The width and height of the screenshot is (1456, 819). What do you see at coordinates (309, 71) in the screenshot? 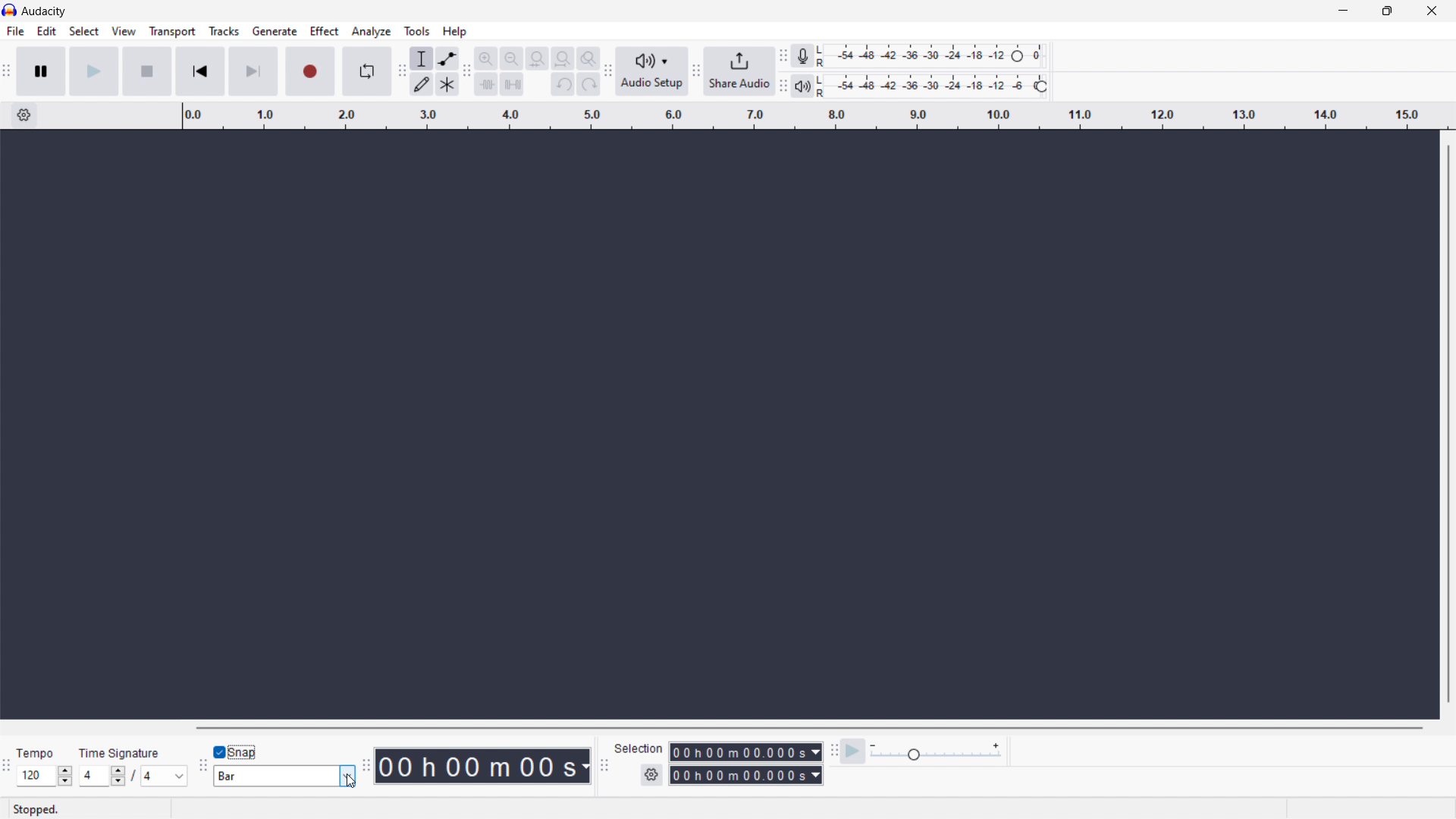
I see `record` at bounding box center [309, 71].